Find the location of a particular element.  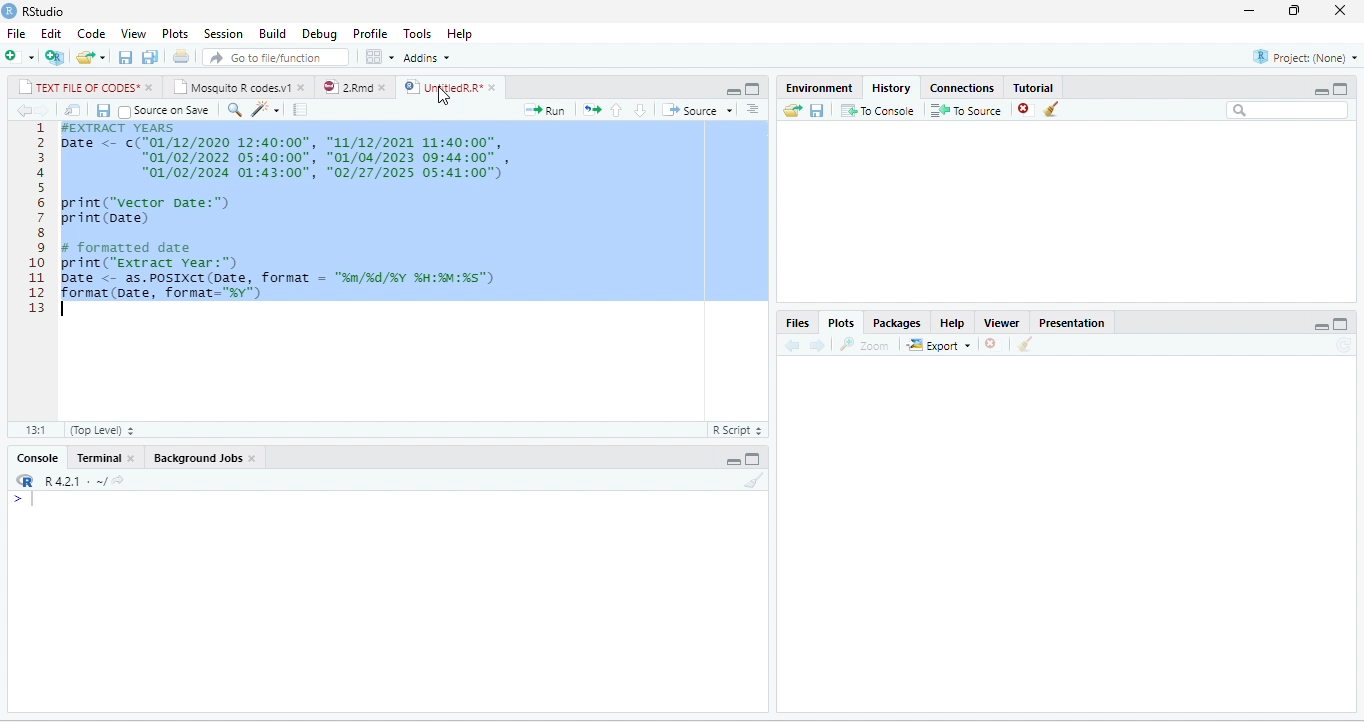

Edit is located at coordinates (51, 34).